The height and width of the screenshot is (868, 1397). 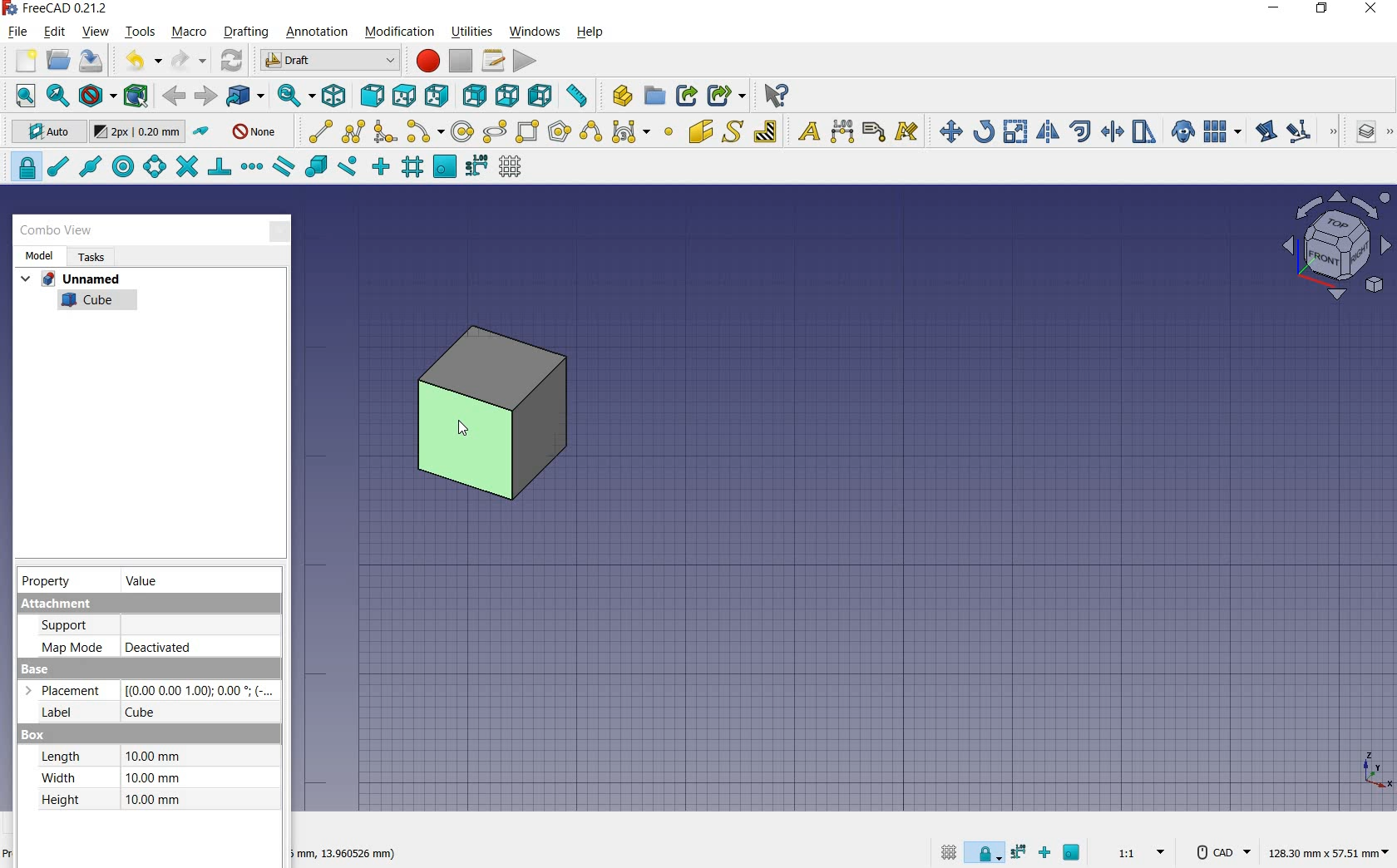 What do you see at coordinates (1390, 133) in the screenshot?
I see `draft utility tools` at bounding box center [1390, 133].